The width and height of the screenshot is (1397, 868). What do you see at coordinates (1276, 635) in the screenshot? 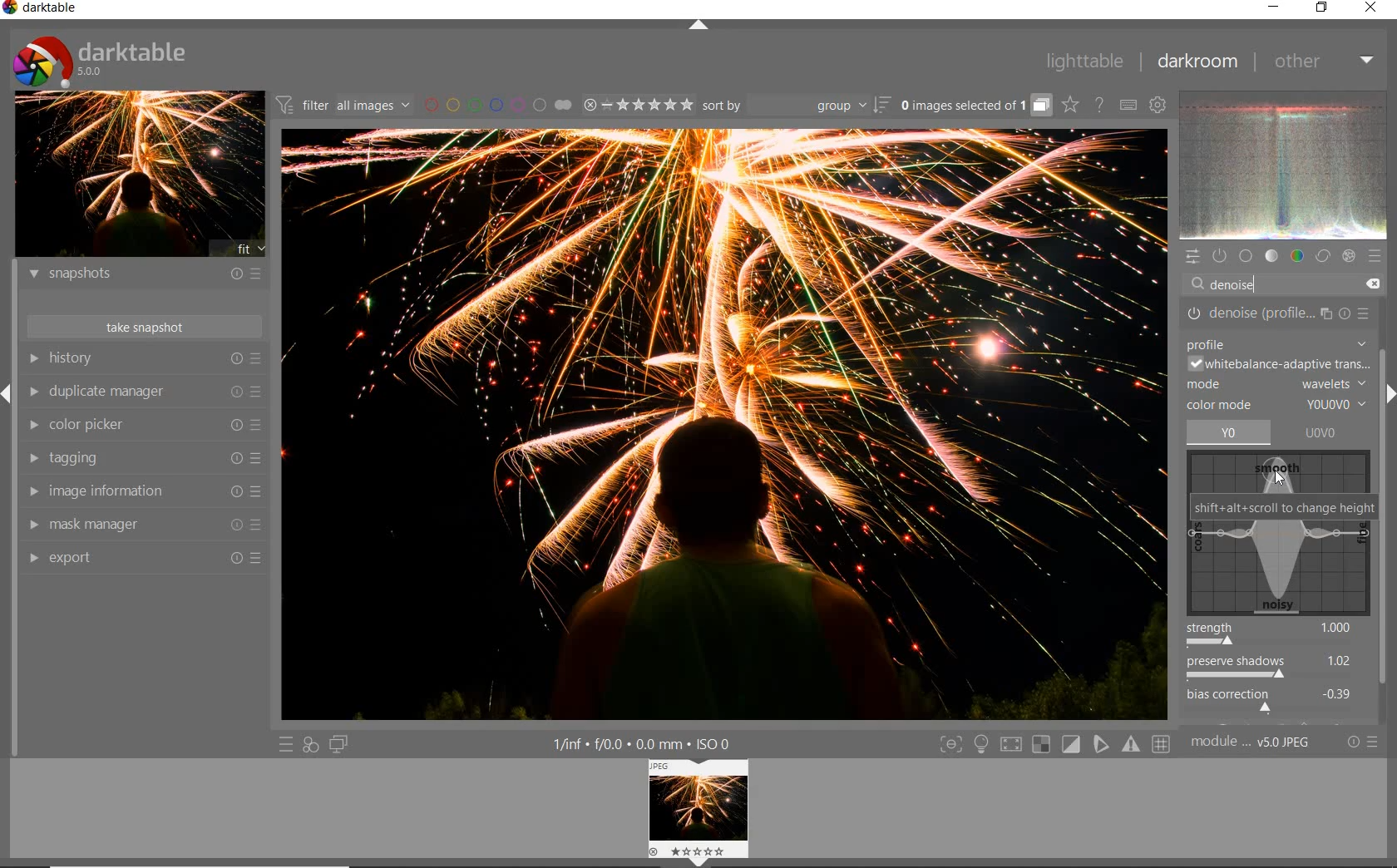
I see `strength` at bounding box center [1276, 635].